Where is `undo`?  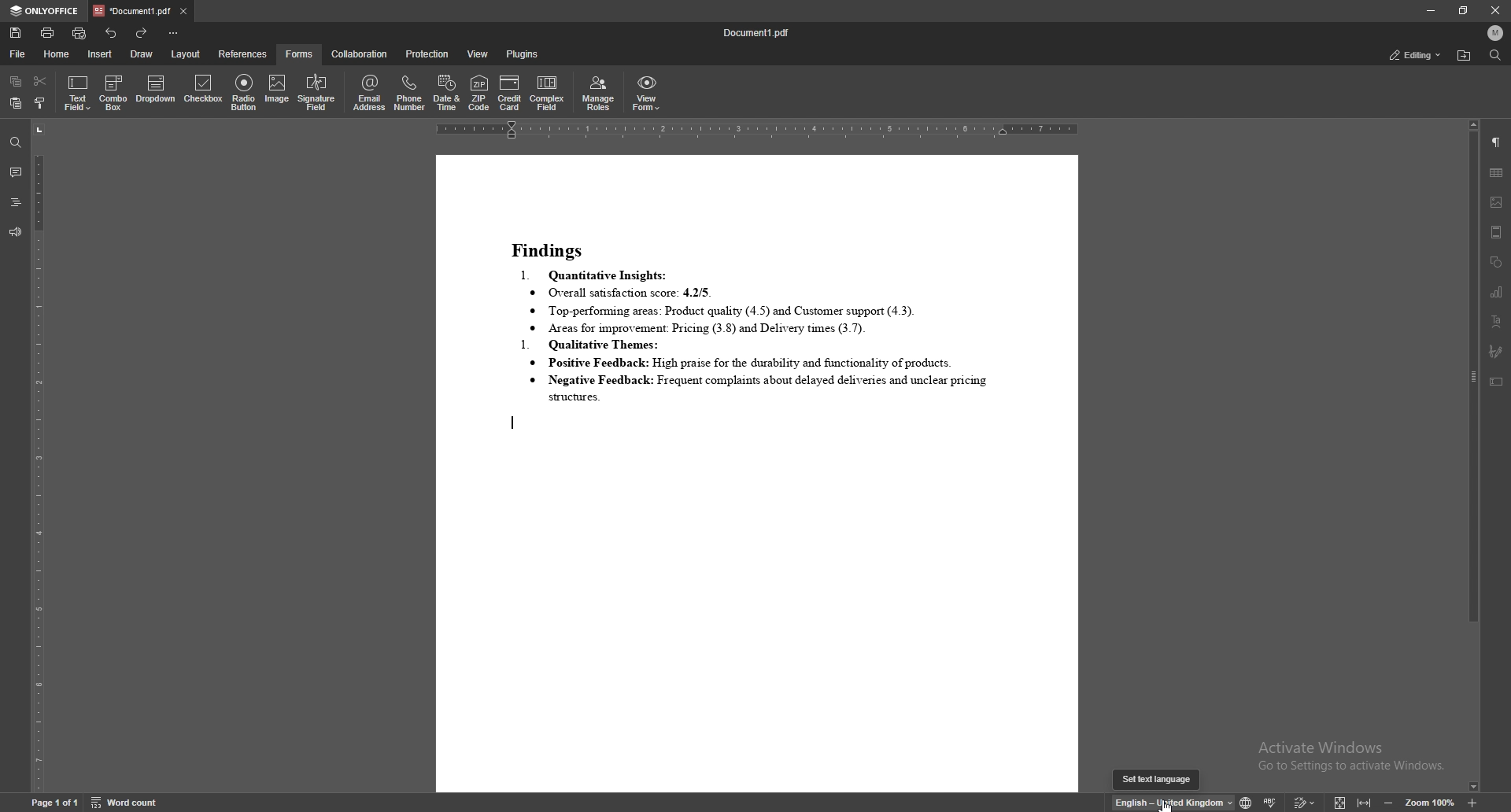
undo is located at coordinates (112, 33).